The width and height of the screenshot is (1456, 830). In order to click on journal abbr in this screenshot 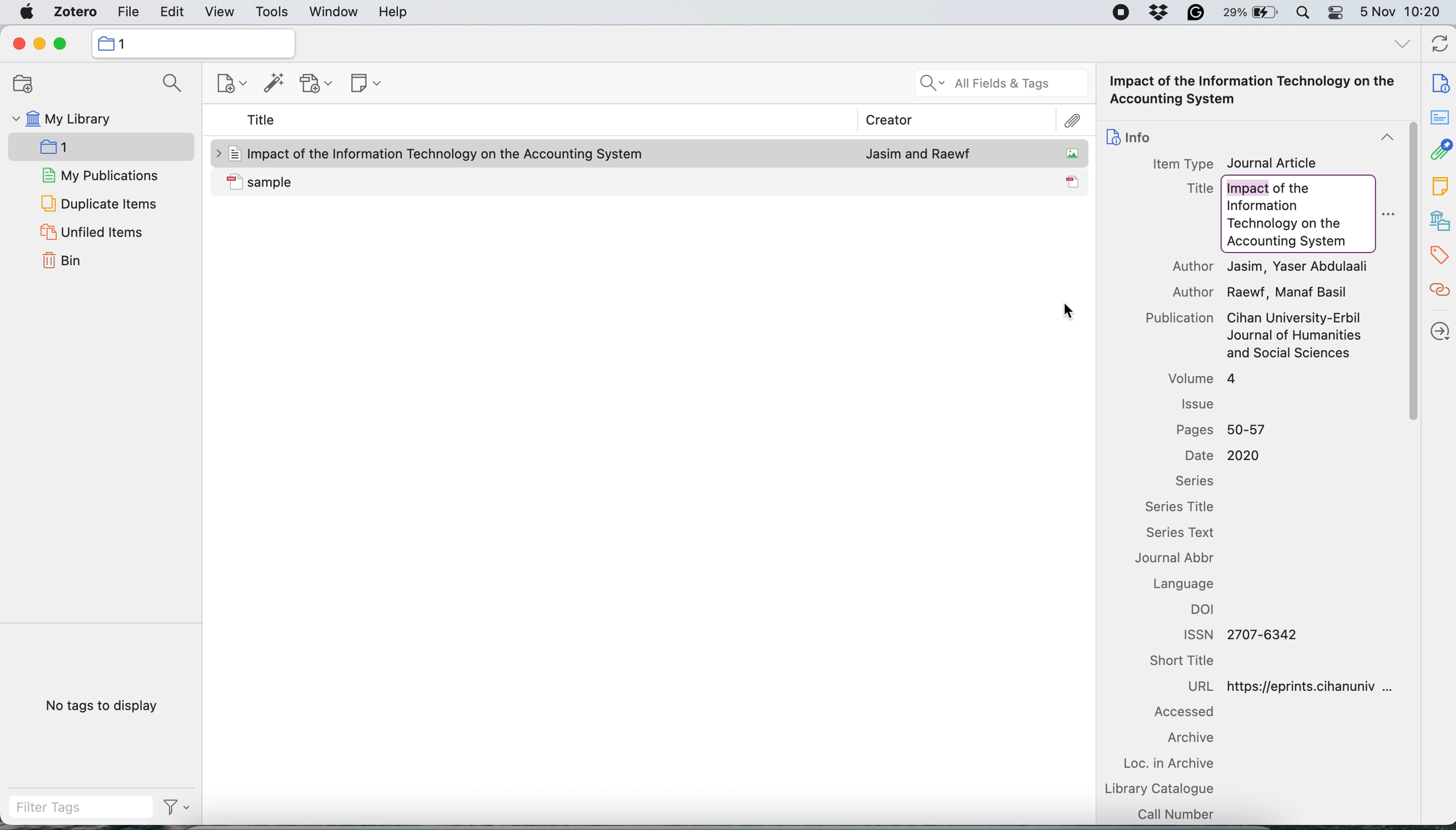, I will do `click(1181, 558)`.